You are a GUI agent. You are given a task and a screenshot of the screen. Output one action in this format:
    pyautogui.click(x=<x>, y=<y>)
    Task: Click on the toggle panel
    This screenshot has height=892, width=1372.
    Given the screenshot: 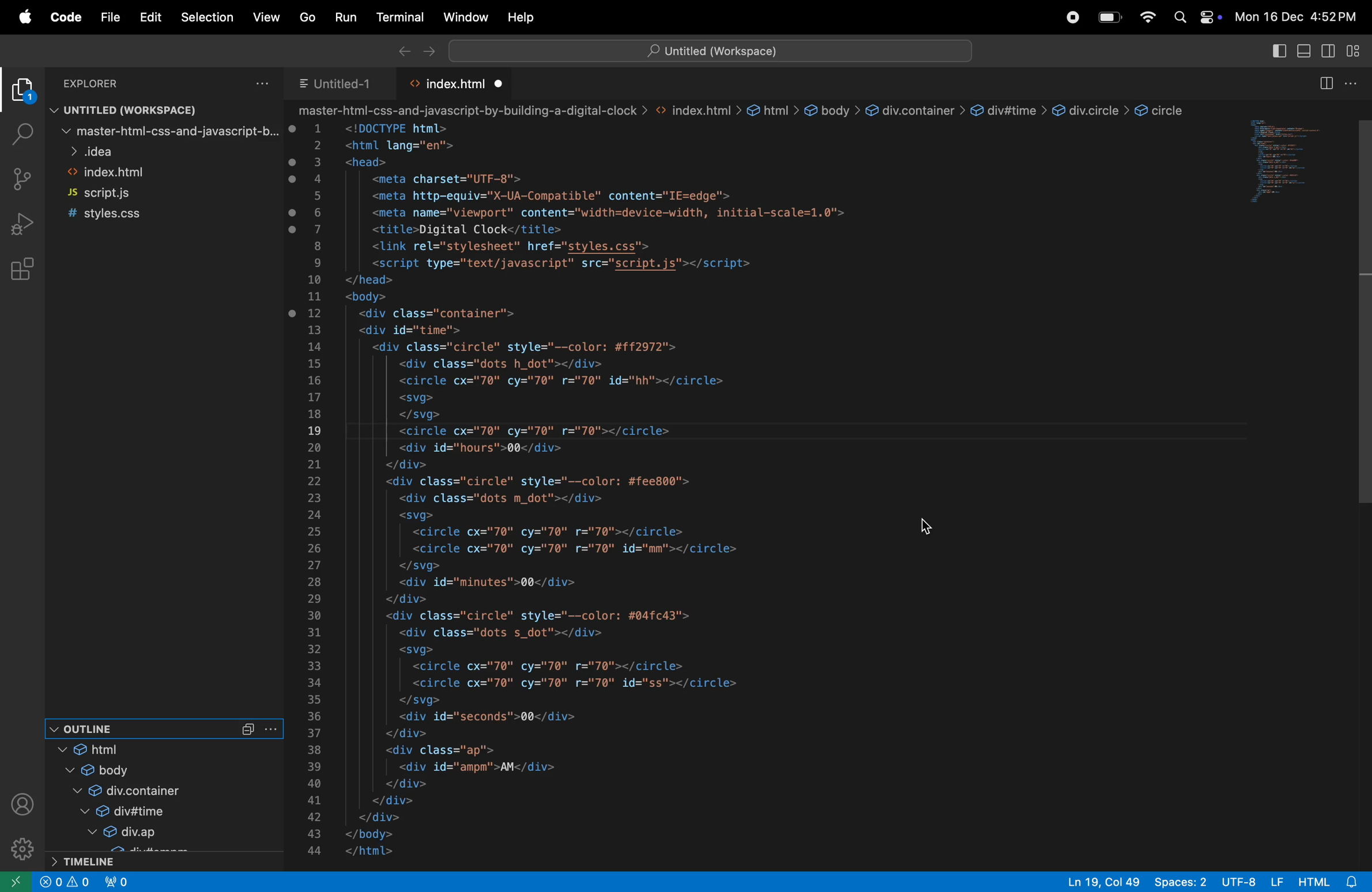 What is the action you would take?
    pyautogui.click(x=1307, y=52)
    